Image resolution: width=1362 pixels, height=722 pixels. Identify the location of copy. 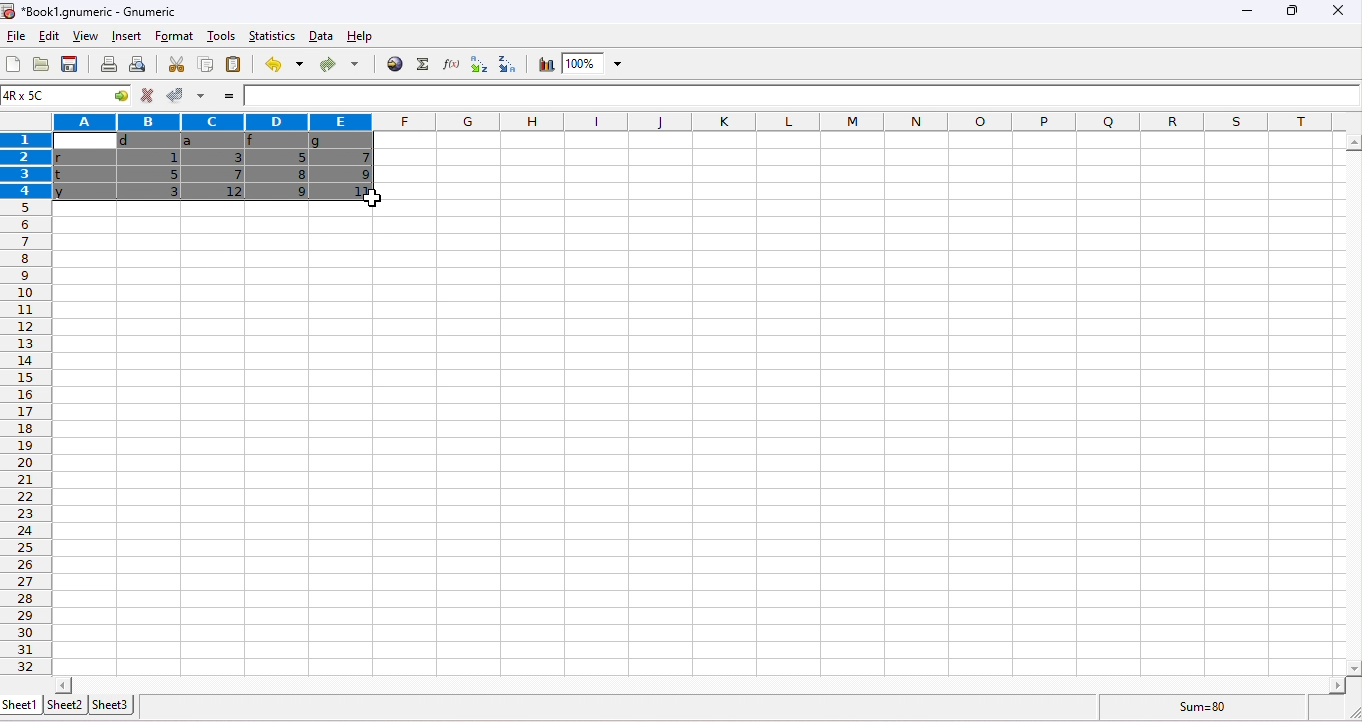
(203, 64).